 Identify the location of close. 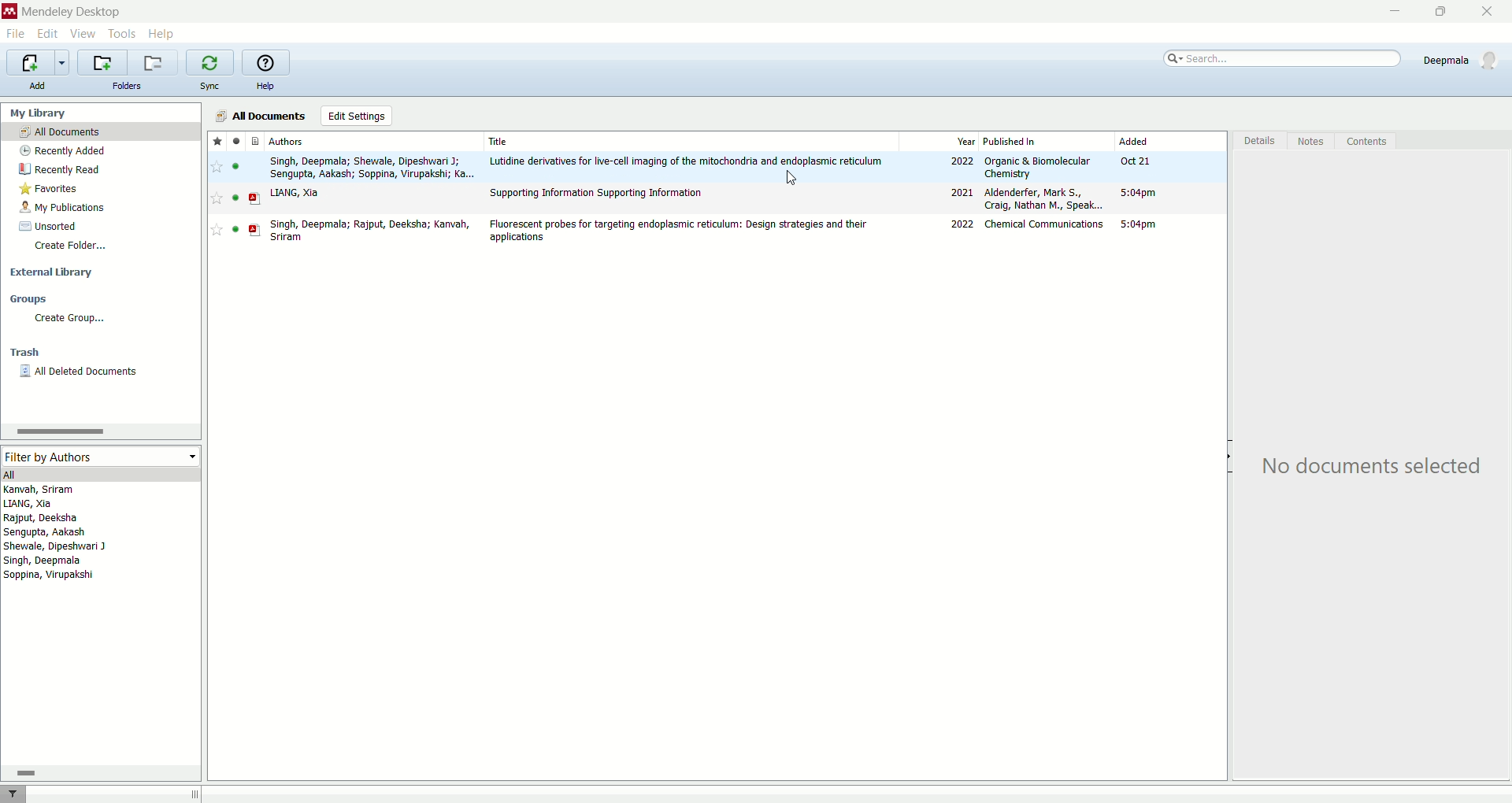
(1492, 13).